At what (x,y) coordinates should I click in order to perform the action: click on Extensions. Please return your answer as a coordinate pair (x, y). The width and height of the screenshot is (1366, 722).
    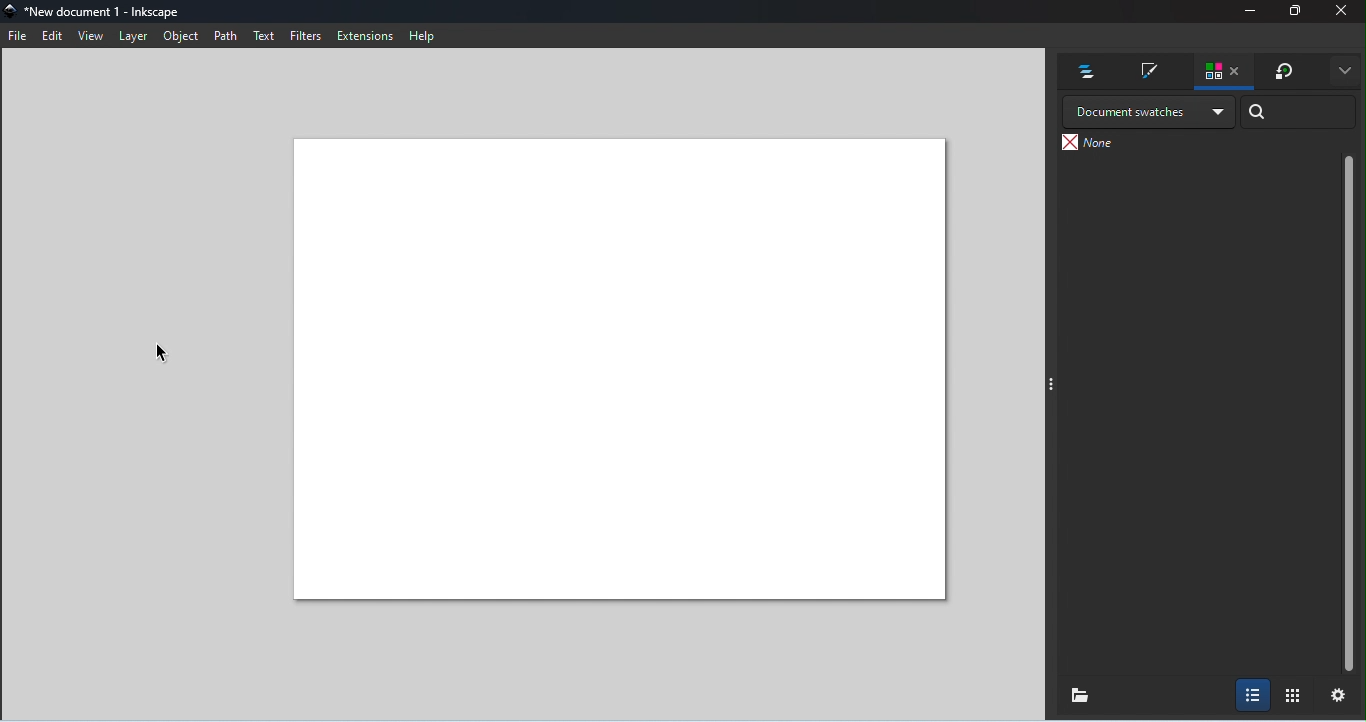
    Looking at the image, I should click on (365, 36).